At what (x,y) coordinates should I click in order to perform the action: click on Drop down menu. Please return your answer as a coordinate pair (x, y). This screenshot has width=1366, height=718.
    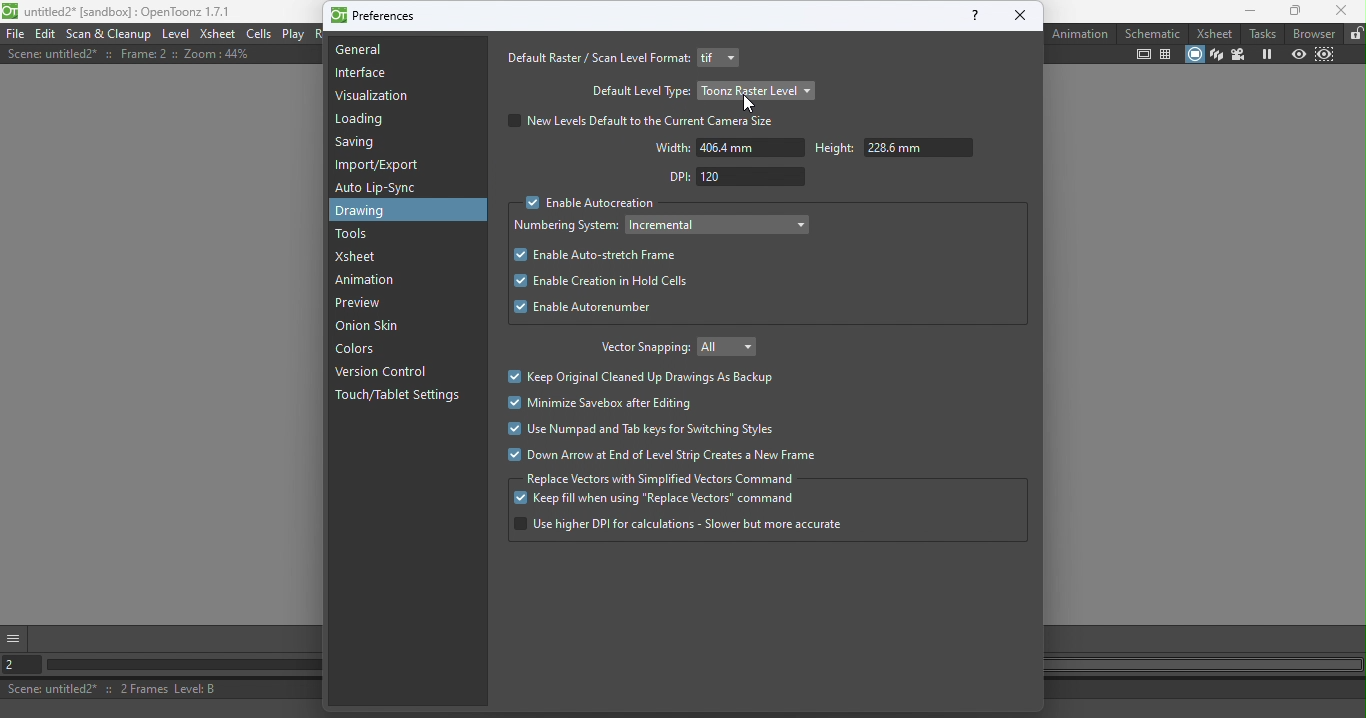
    Looking at the image, I should click on (720, 224).